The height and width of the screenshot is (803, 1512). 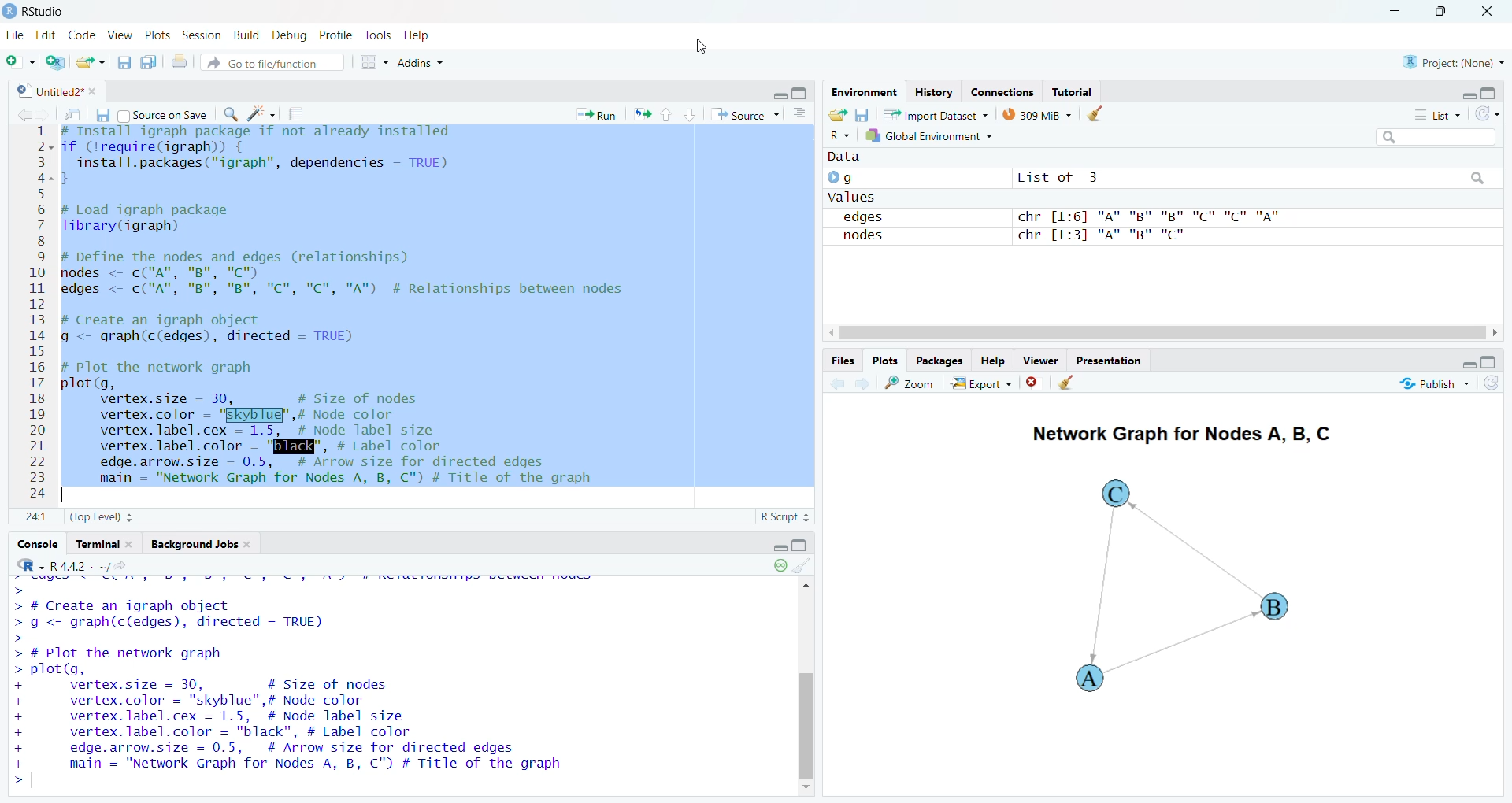 I want to click on History, so click(x=936, y=92).